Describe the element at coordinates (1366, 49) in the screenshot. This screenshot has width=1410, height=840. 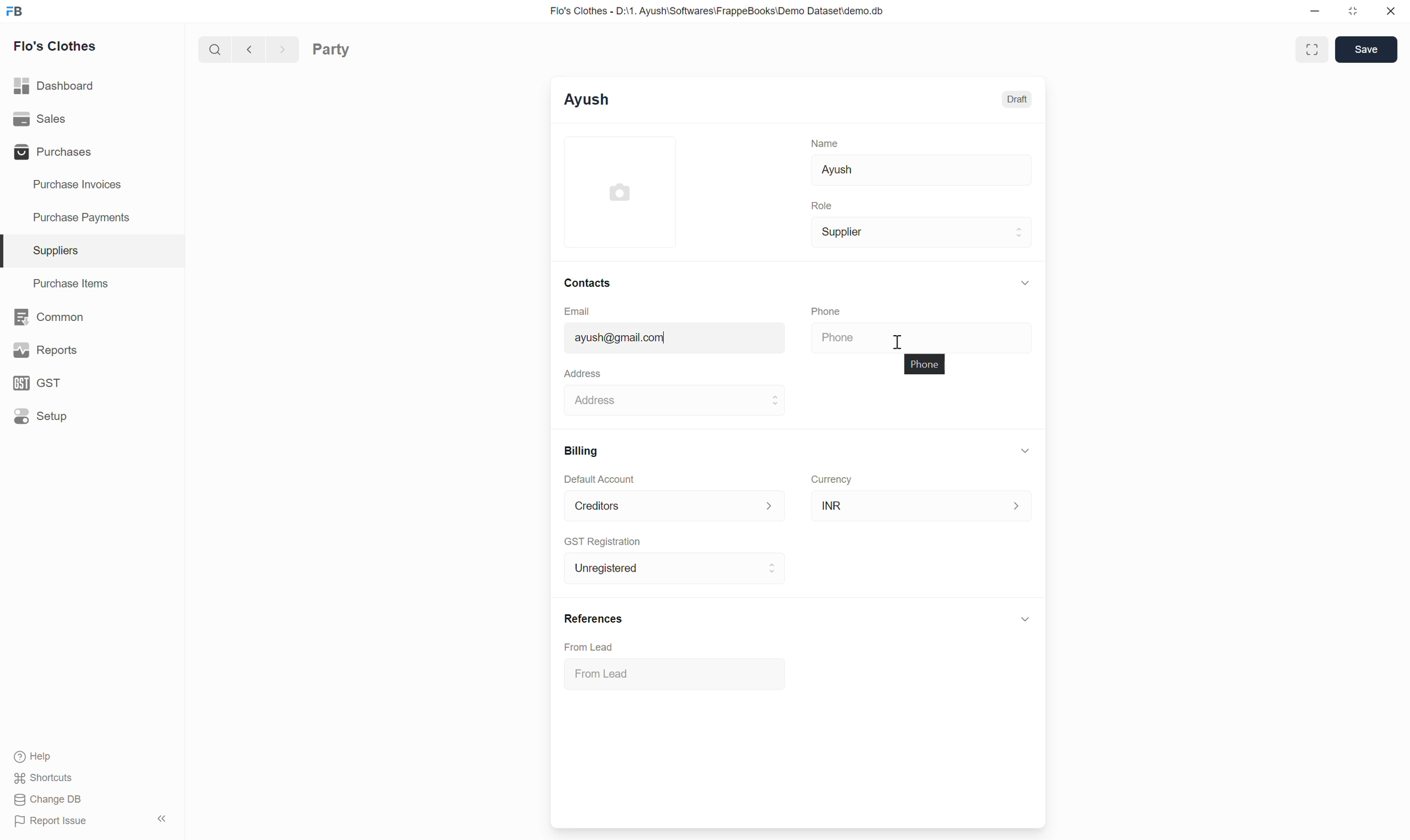
I see `Save` at that location.